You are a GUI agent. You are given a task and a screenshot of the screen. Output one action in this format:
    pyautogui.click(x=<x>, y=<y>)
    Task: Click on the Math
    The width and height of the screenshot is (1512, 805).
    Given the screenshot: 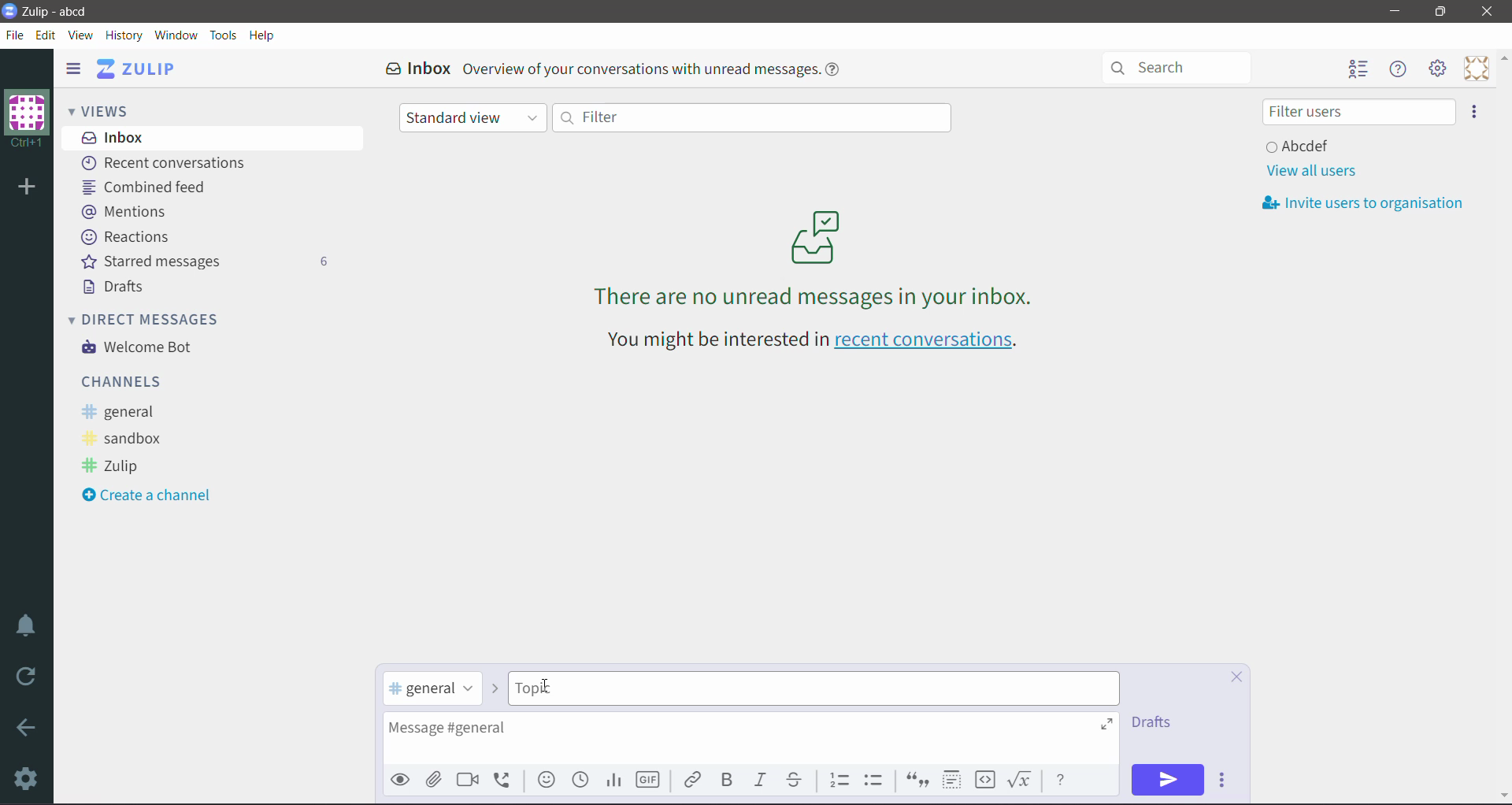 What is the action you would take?
    pyautogui.click(x=1022, y=780)
    